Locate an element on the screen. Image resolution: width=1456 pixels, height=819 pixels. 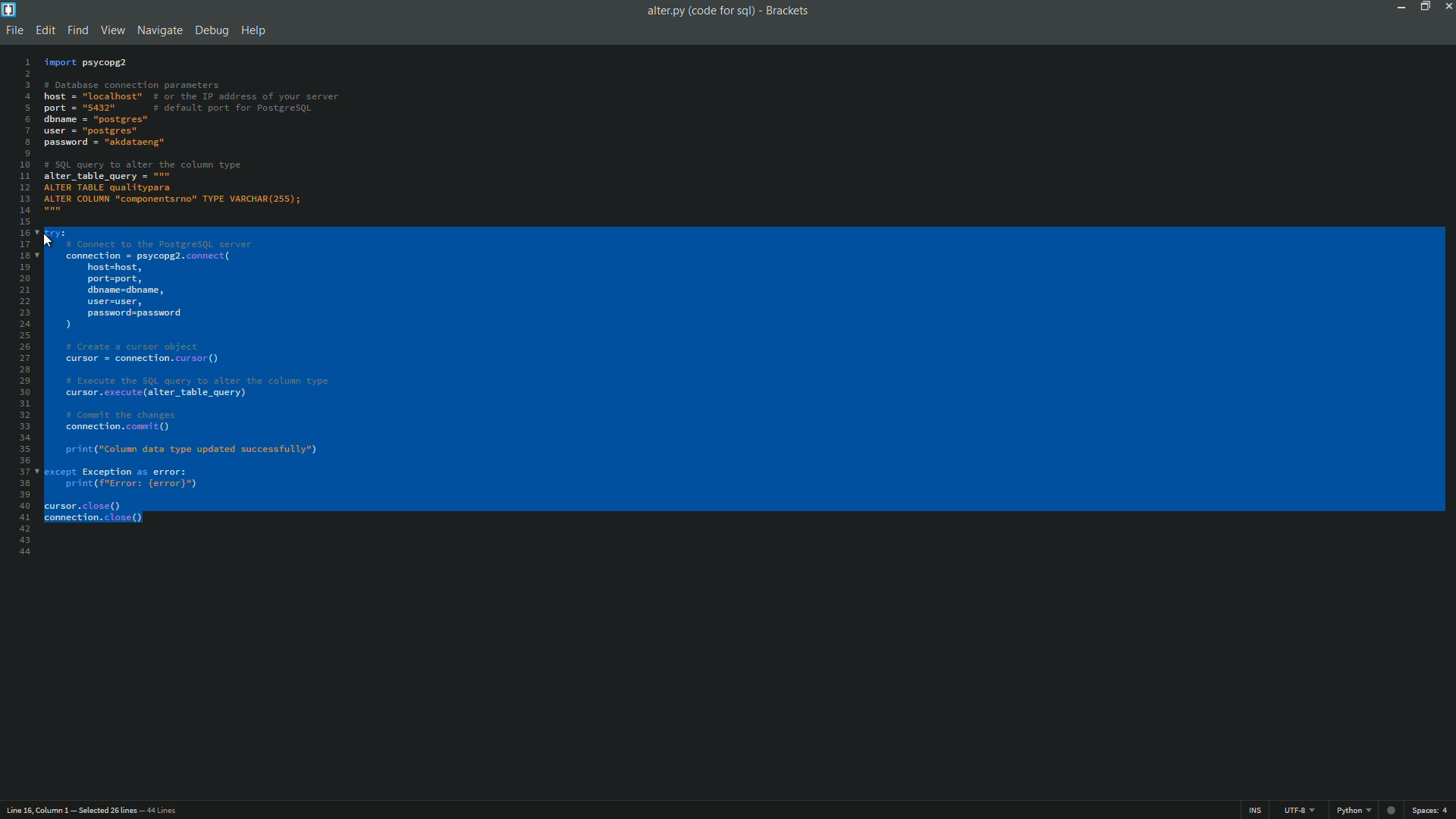
find menu is located at coordinates (77, 30).